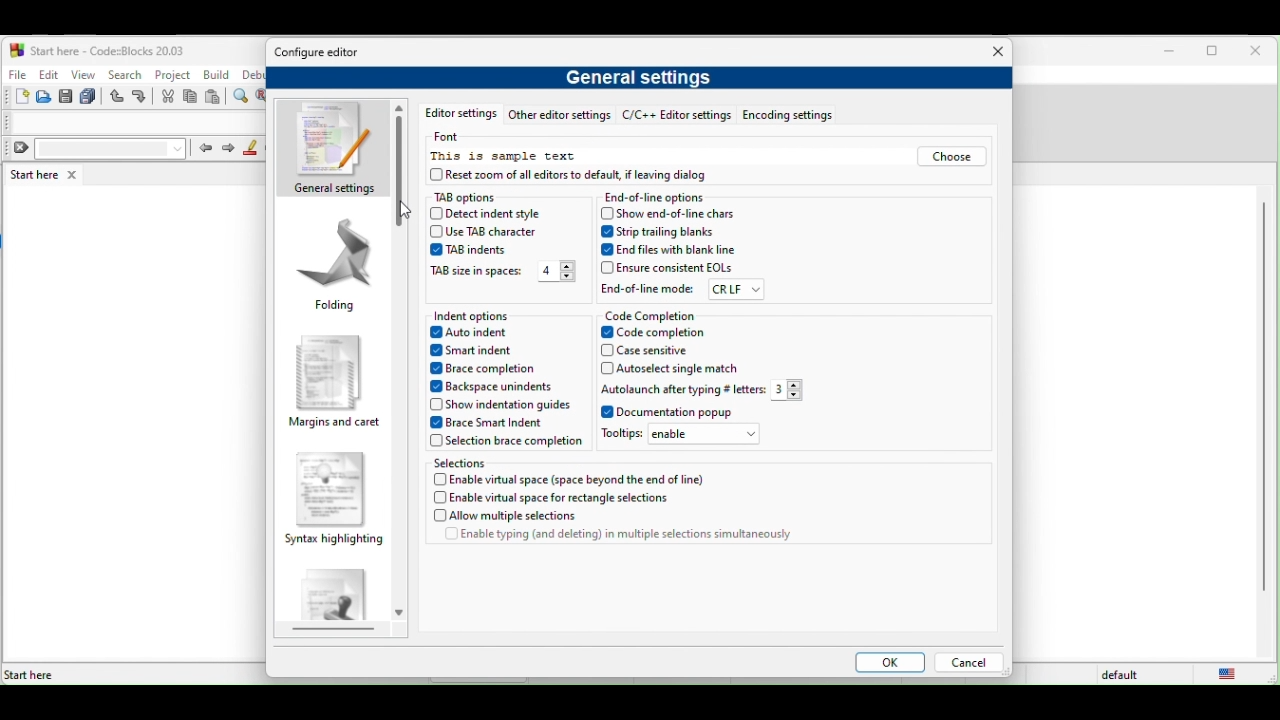 The height and width of the screenshot is (720, 1280). I want to click on search, so click(124, 74).